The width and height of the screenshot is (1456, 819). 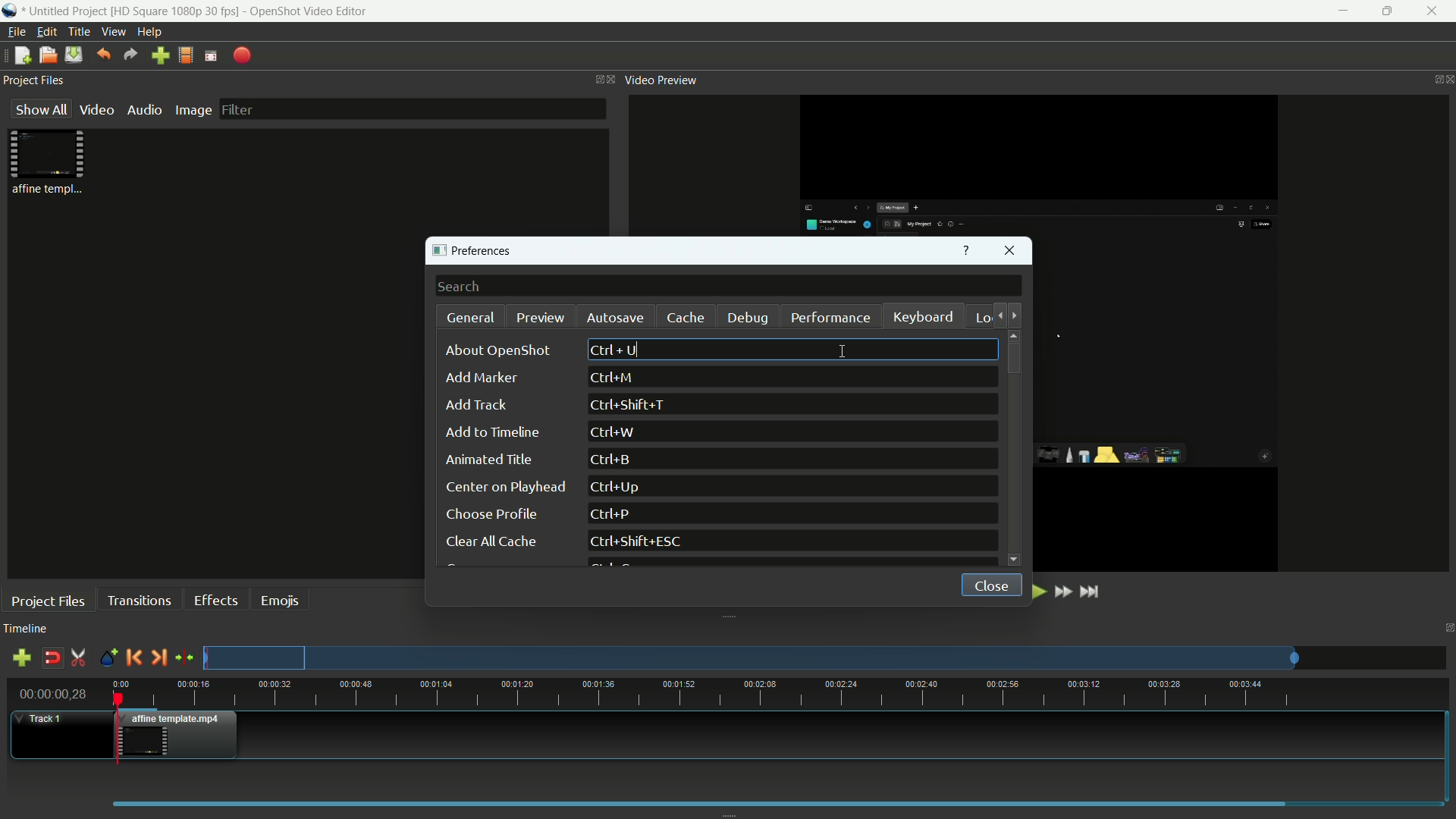 What do you see at coordinates (38, 110) in the screenshot?
I see `show all` at bounding box center [38, 110].